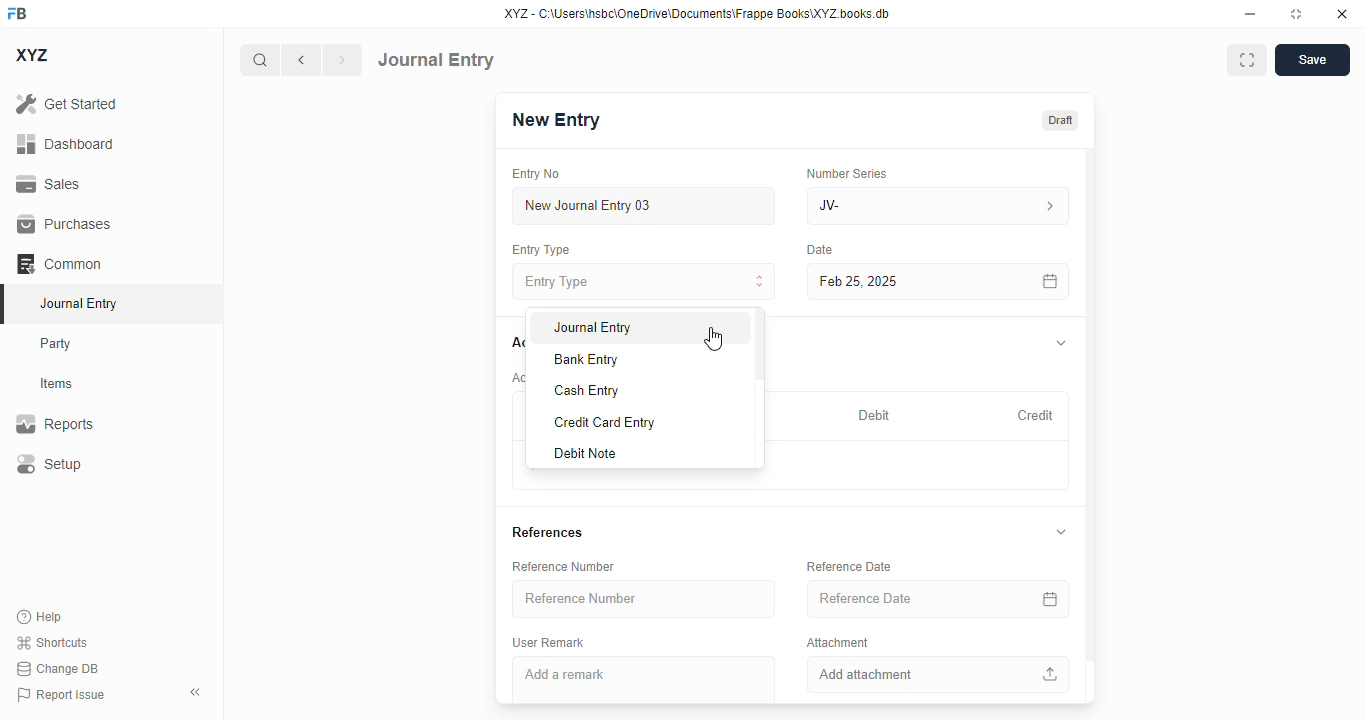 This screenshot has height=720, width=1366. I want to click on JV-, so click(894, 206).